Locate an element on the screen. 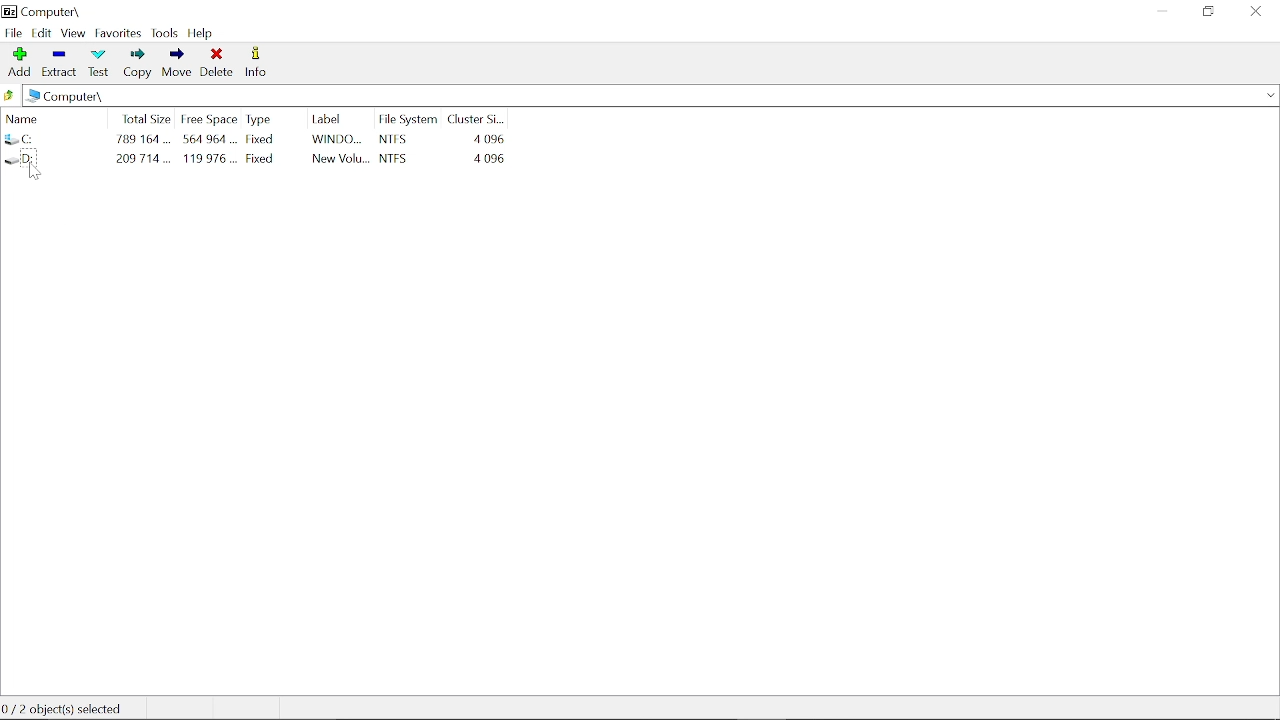 The width and height of the screenshot is (1280, 720). info is located at coordinates (257, 63).